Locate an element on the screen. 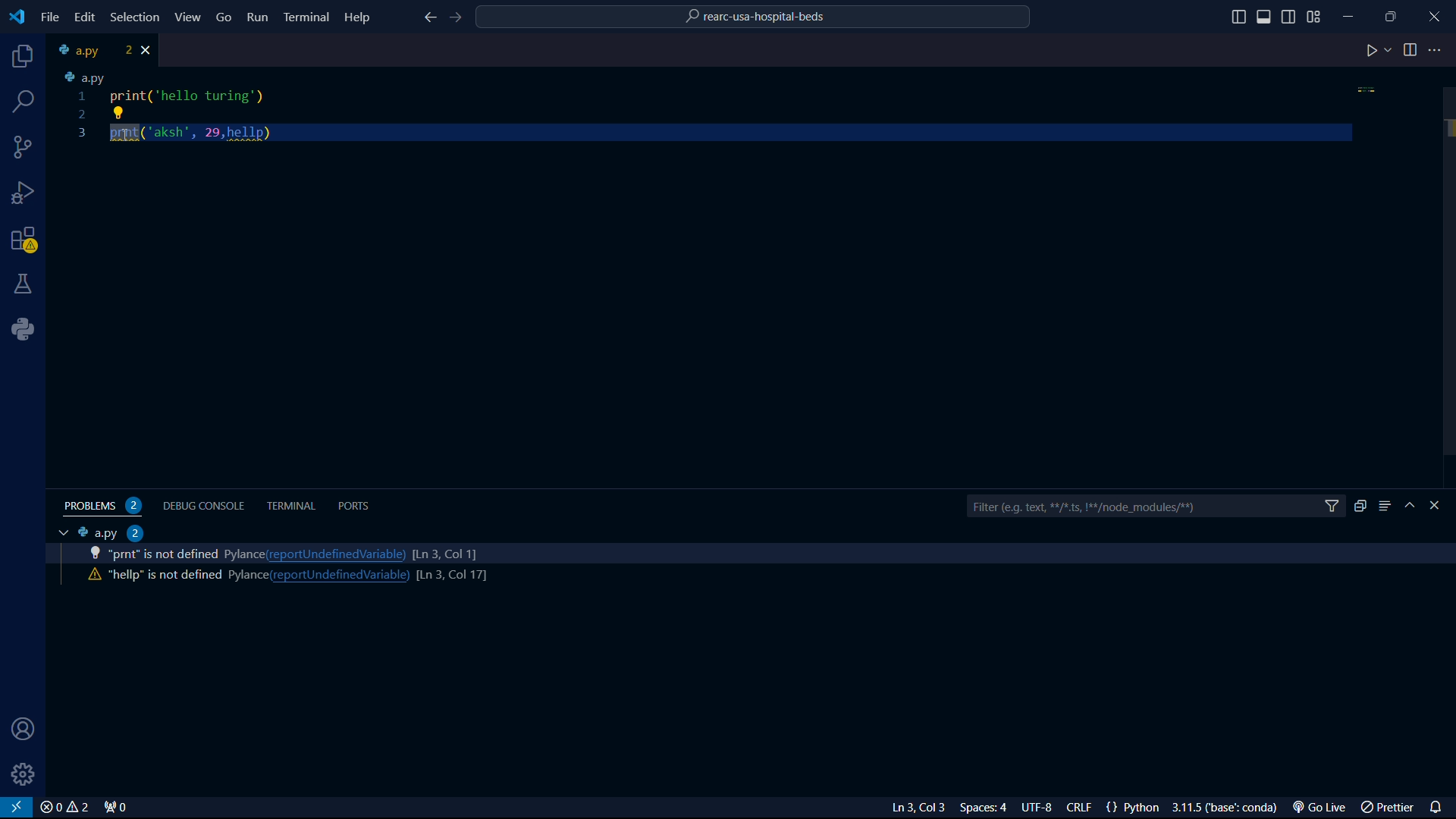 The image size is (1456, 819). play is located at coordinates (1378, 52).